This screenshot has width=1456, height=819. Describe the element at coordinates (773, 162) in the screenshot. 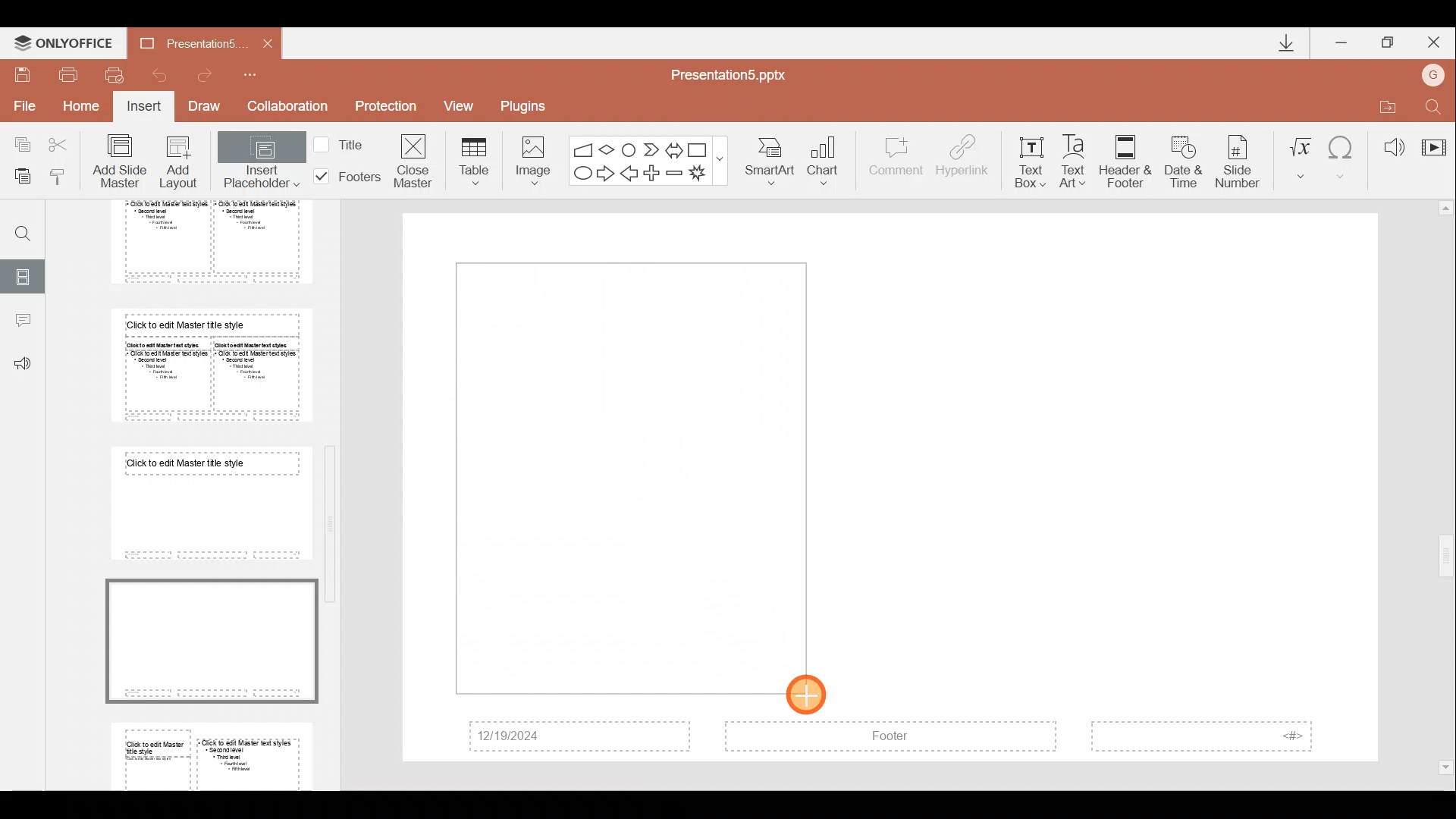

I see `SmartArt` at that location.